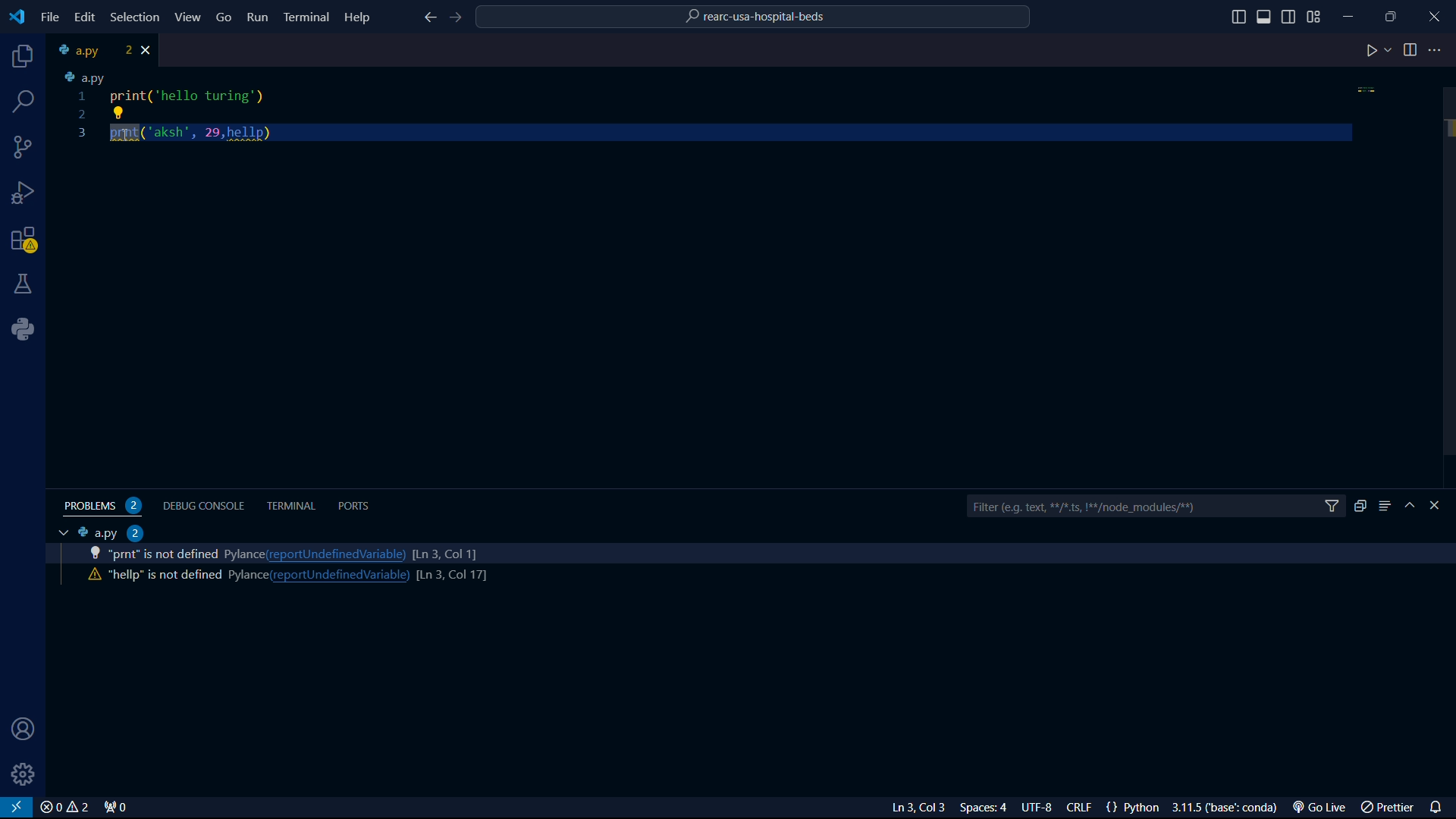 The width and height of the screenshot is (1456, 819). What do you see at coordinates (137, 18) in the screenshot?
I see `Selection` at bounding box center [137, 18].